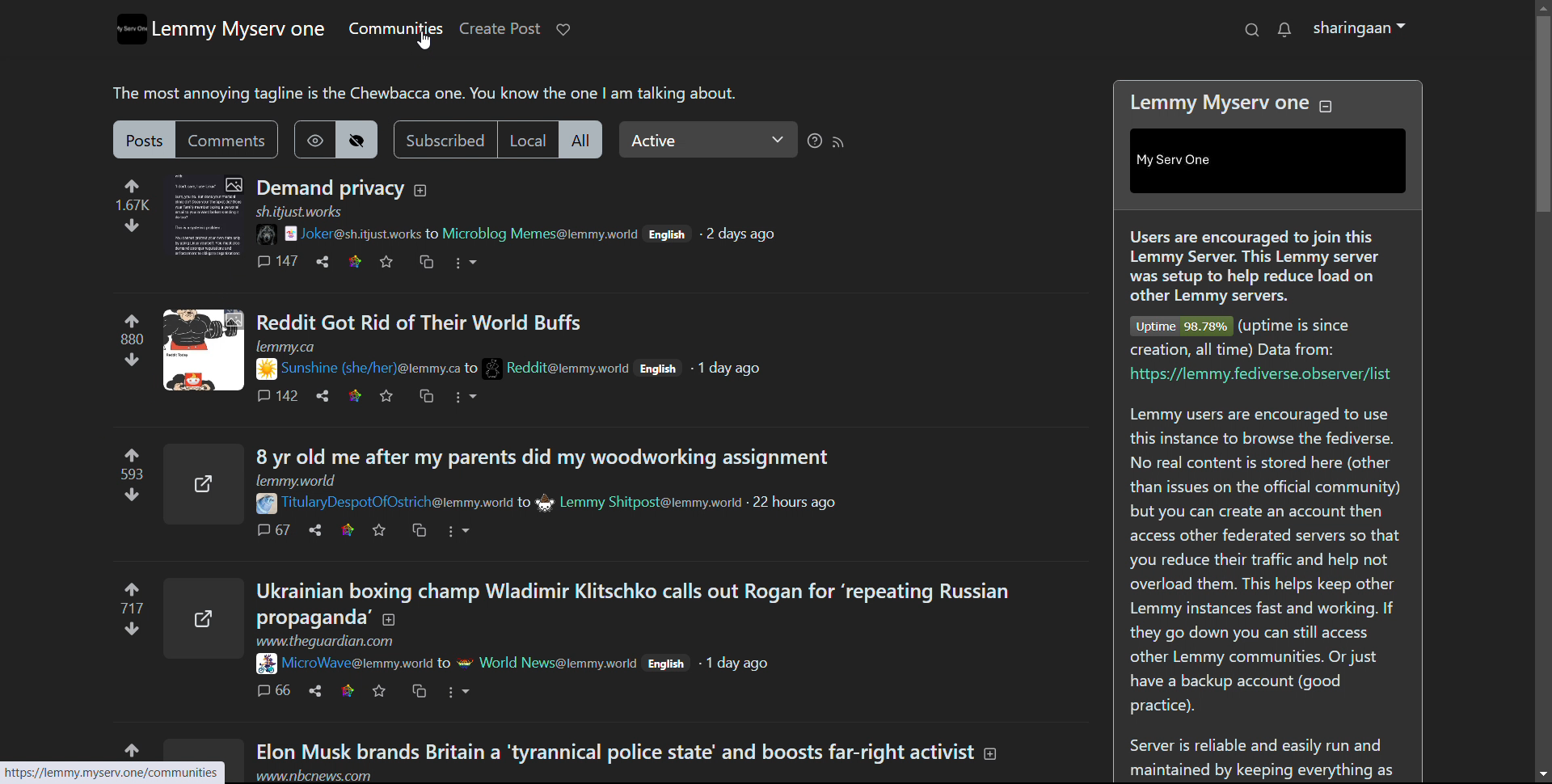  I want to click on RSS, so click(839, 141).